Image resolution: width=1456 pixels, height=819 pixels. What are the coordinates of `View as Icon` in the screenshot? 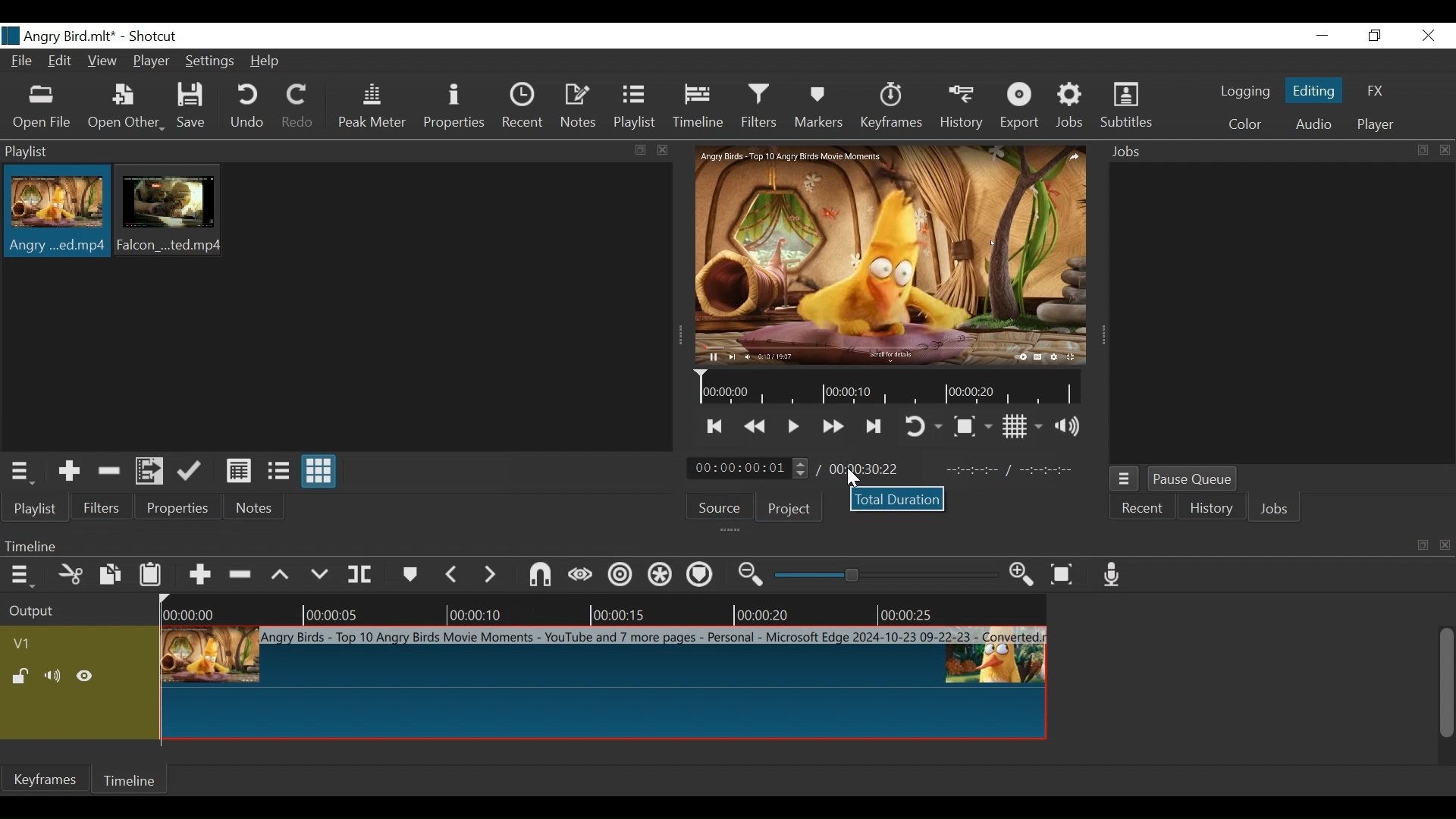 It's located at (319, 472).